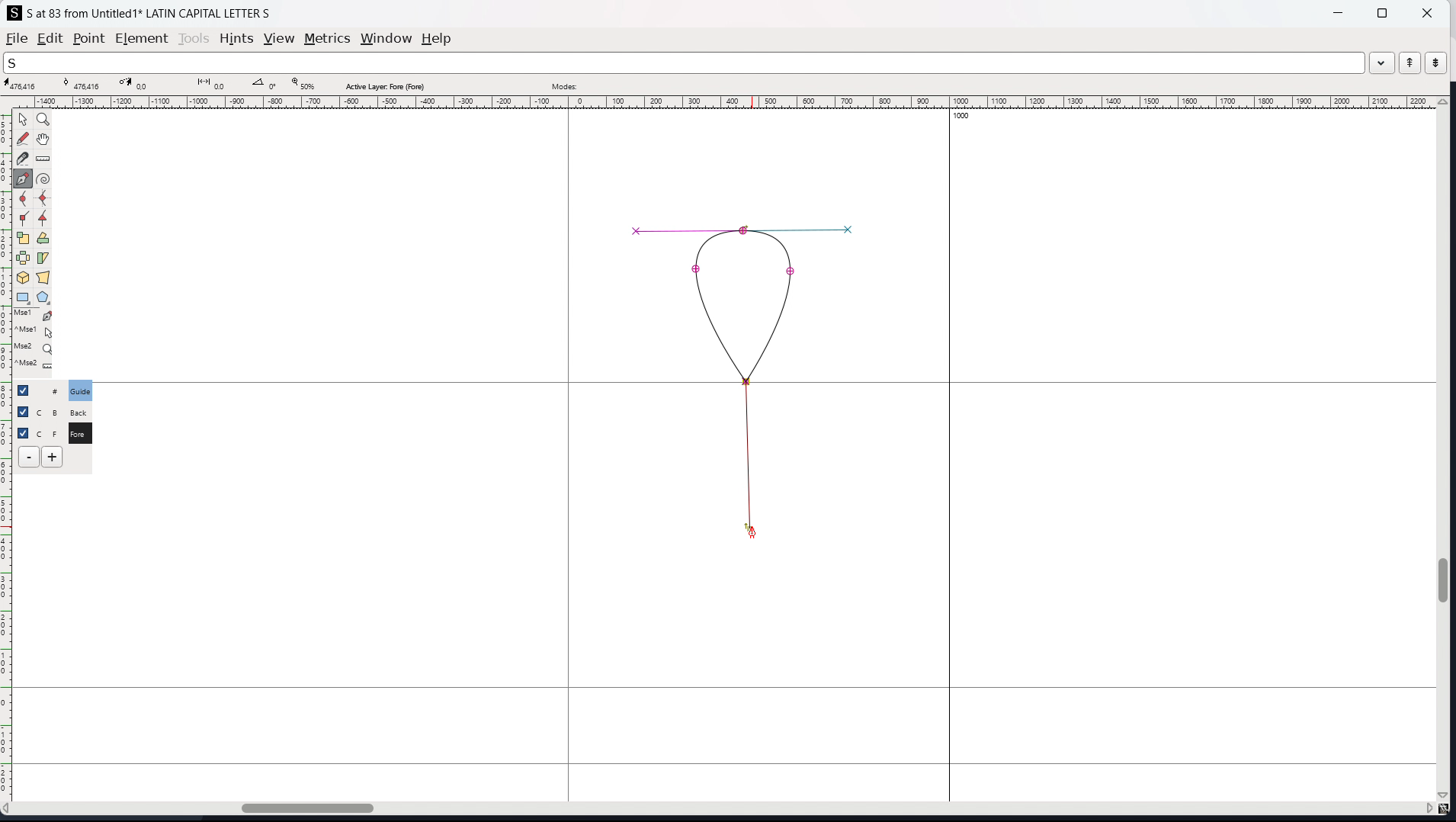 This screenshot has height=822, width=1456. I want to click on add a curve point, so click(24, 199).